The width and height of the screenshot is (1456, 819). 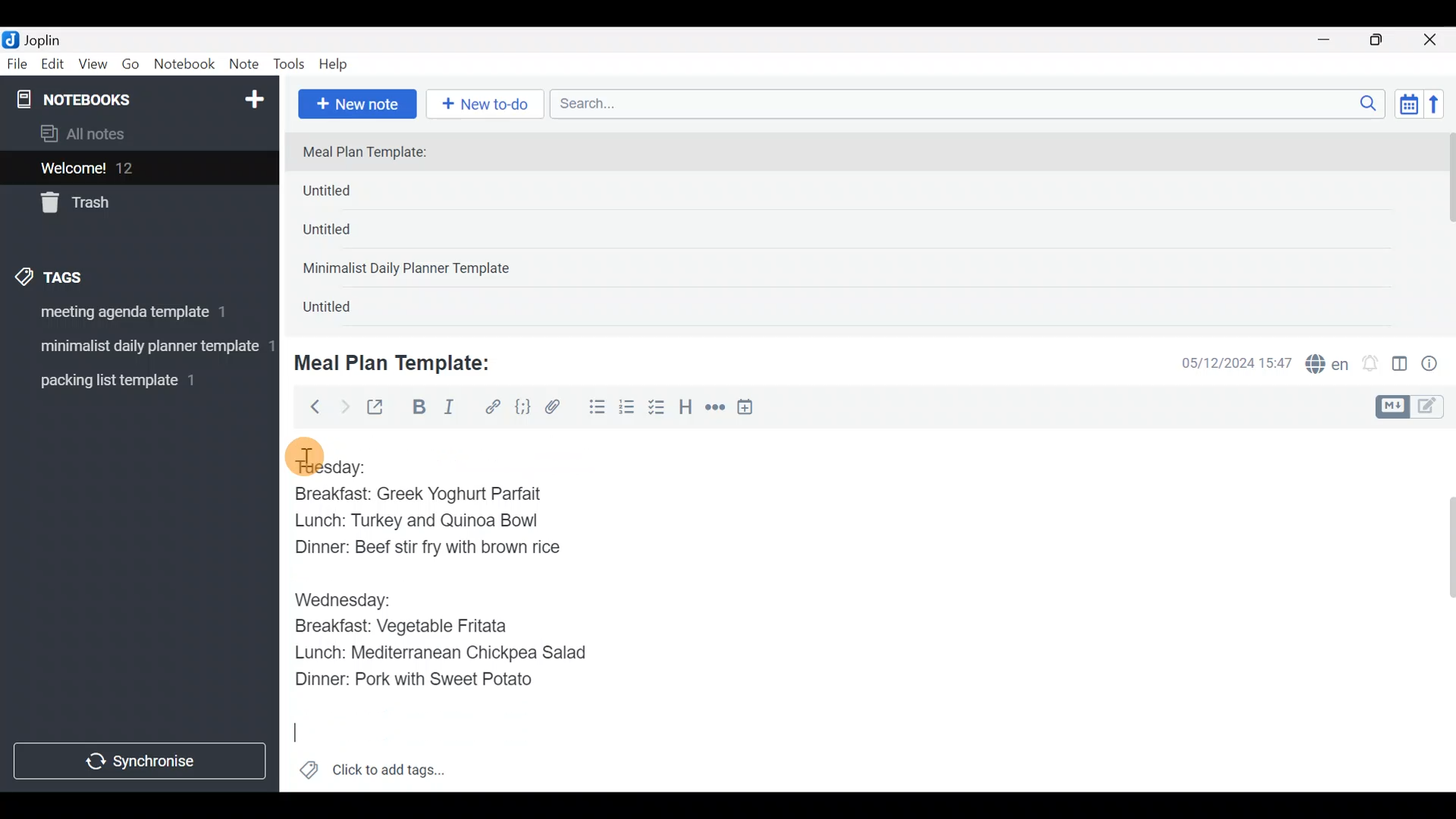 I want to click on Synchronize, so click(x=142, y=761).